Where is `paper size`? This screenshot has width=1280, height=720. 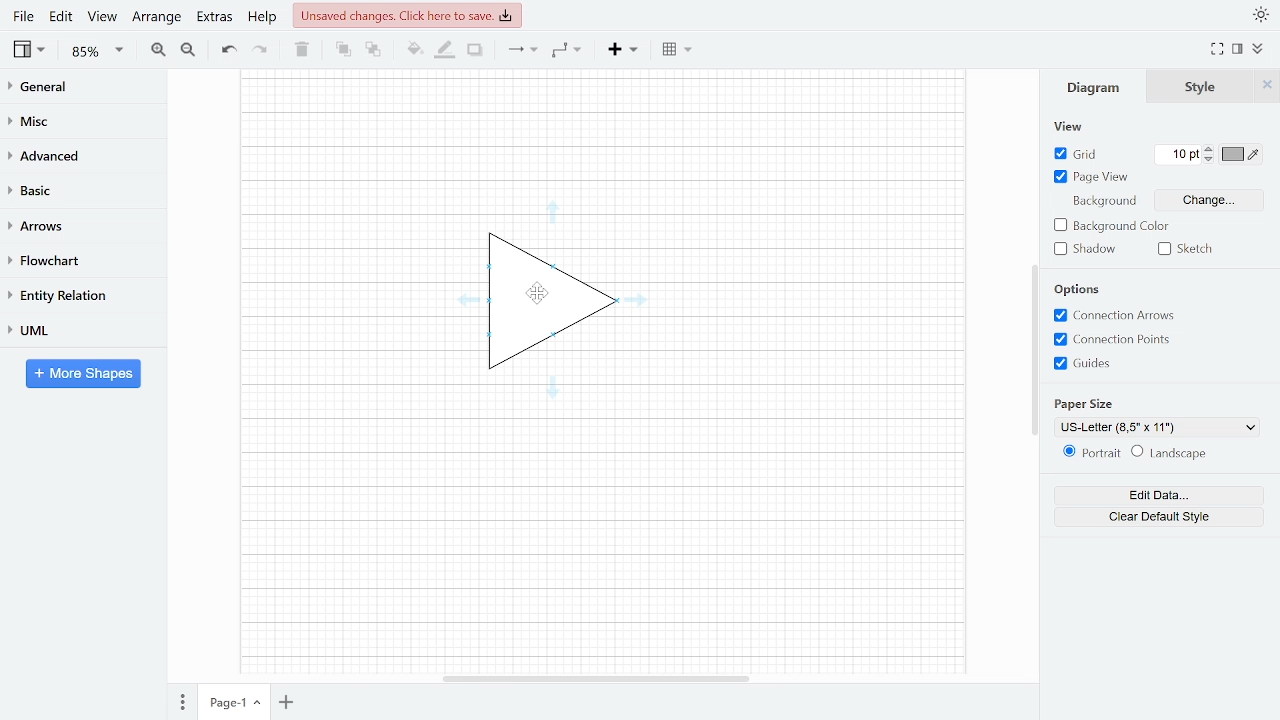
paper size is located at coordinates (1084, 405).